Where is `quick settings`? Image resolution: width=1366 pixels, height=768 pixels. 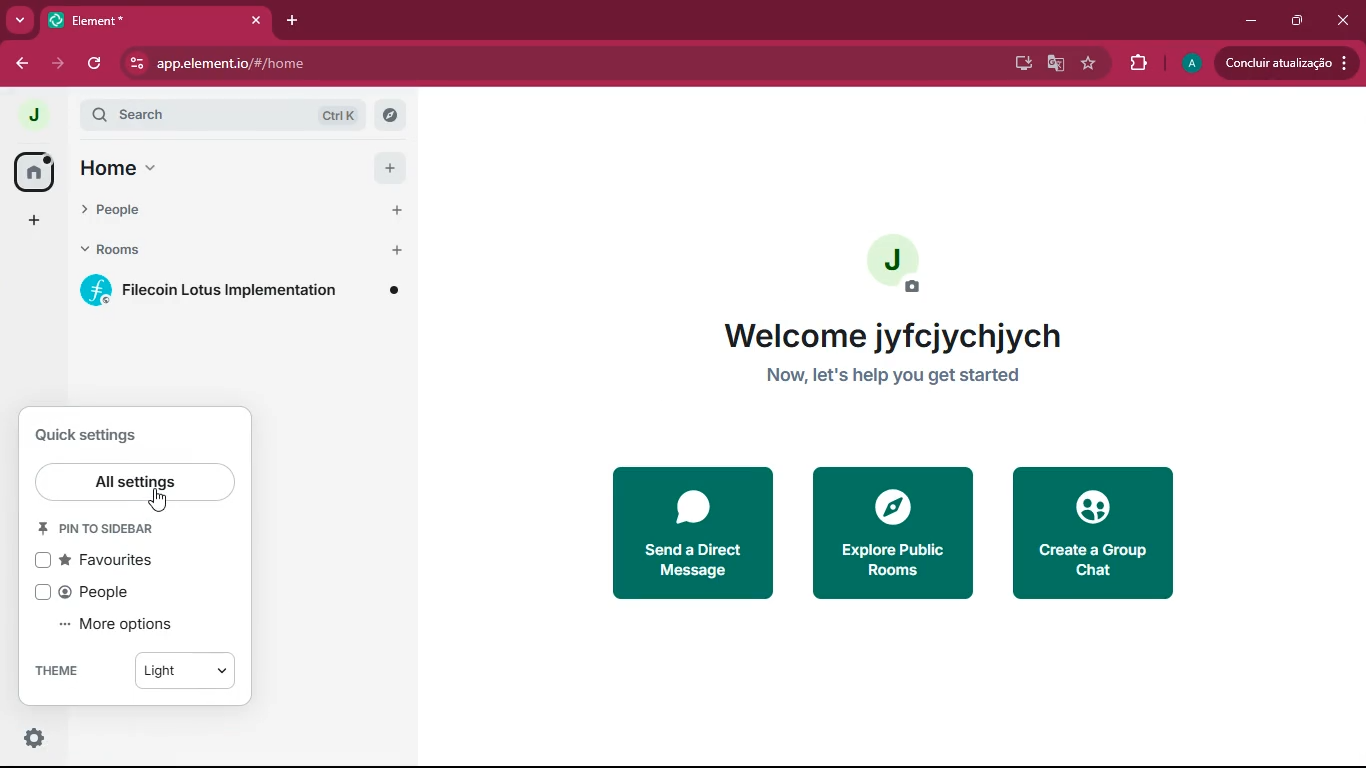 quick settings is located at coordinates (106, 436).